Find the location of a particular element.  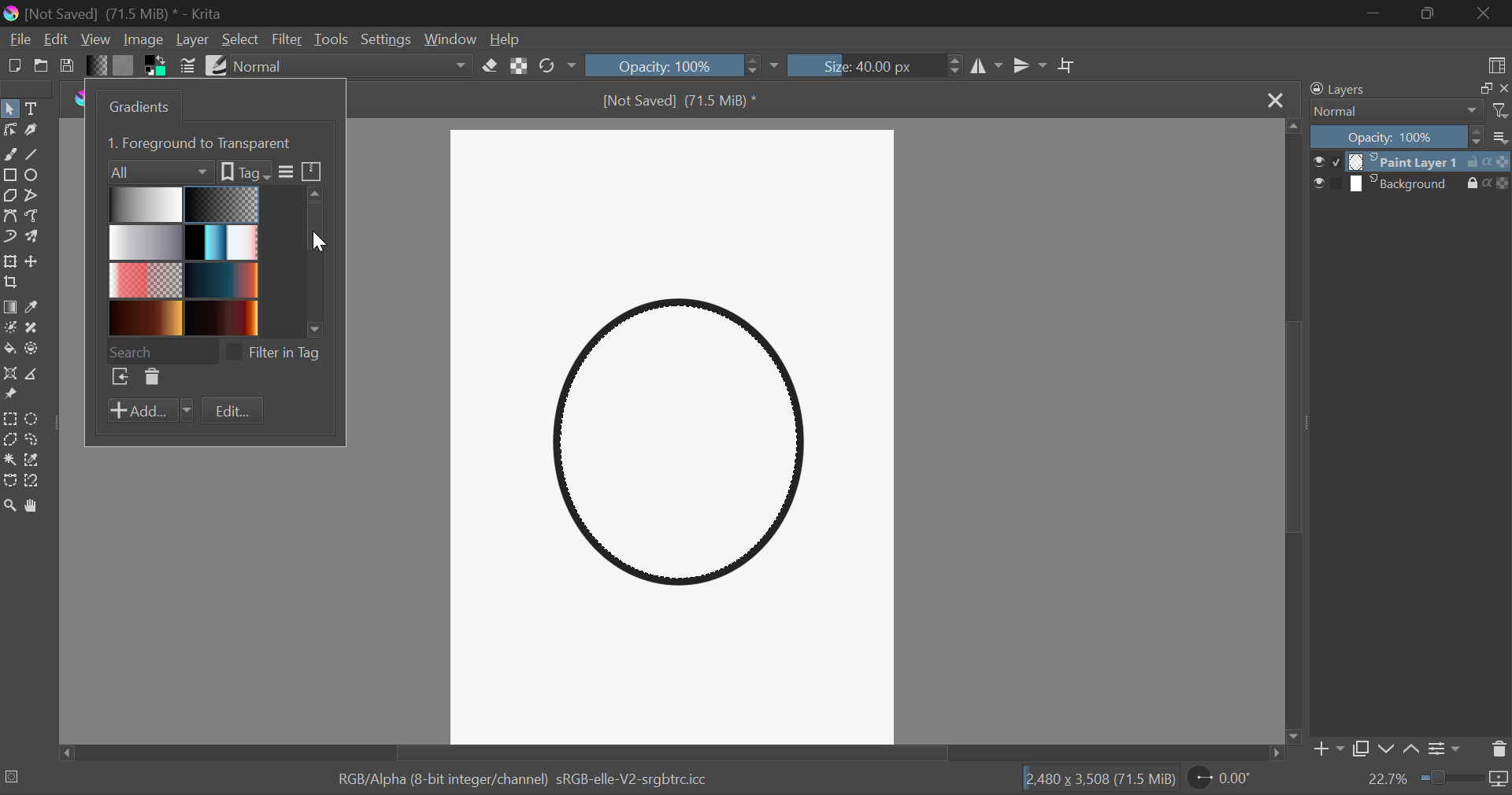

Eraser is located at coordinates (490, 66).